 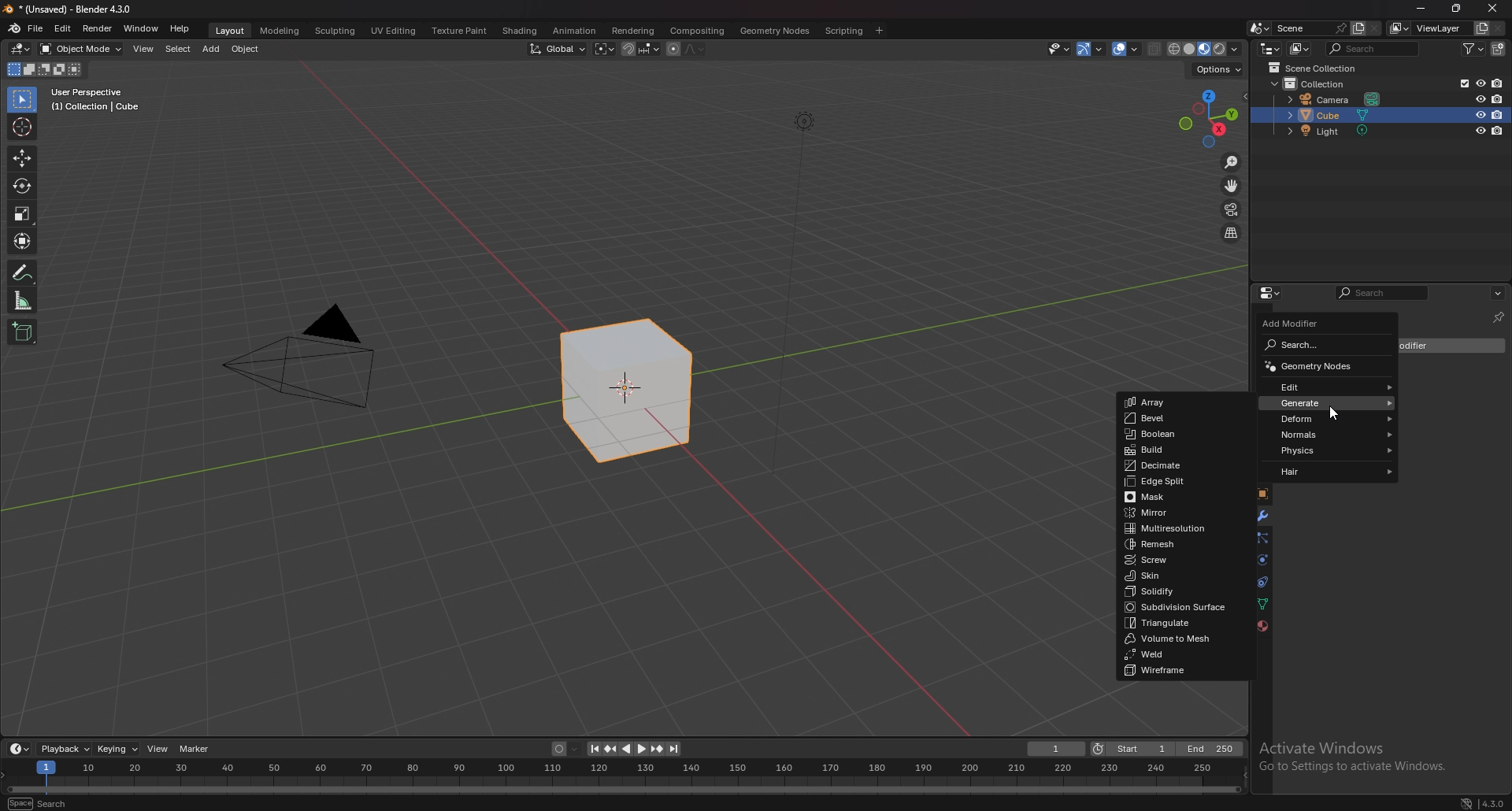 What do you see at coordinates (336, 31) in the screenshot?
I see `sculpting` at bounding box center [336, 31].